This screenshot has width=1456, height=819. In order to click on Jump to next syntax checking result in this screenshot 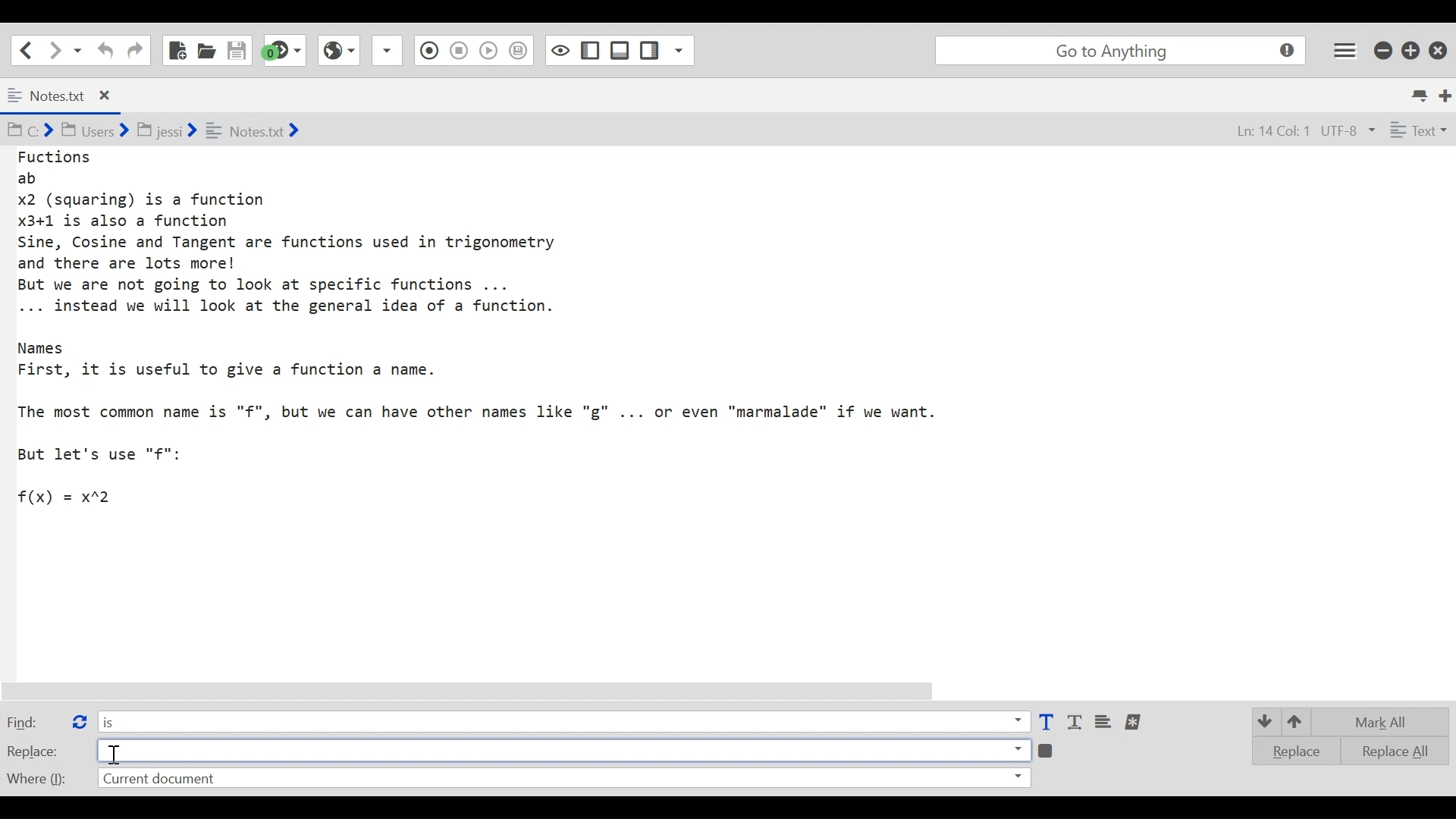, I will do `click(284, 50)`.